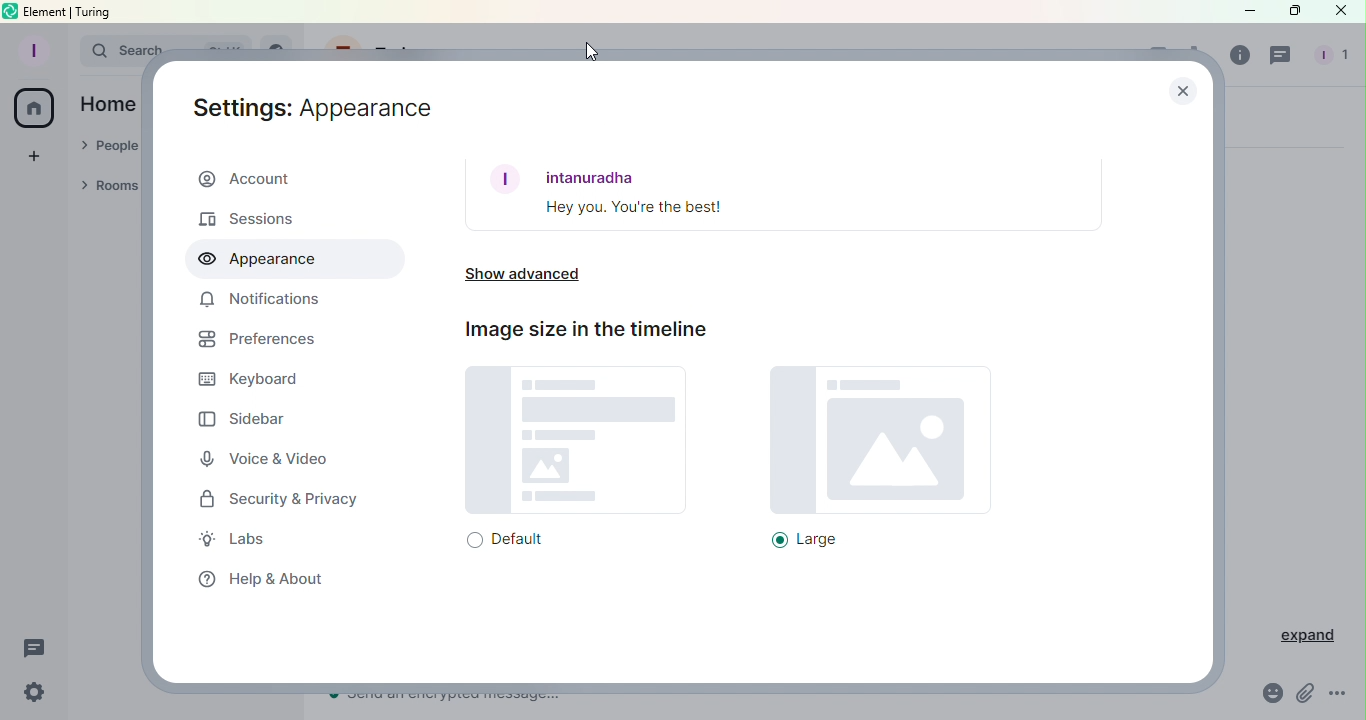  Describe the element at coordinates (292, 181) in the screenshot. I see `Account` at that location.